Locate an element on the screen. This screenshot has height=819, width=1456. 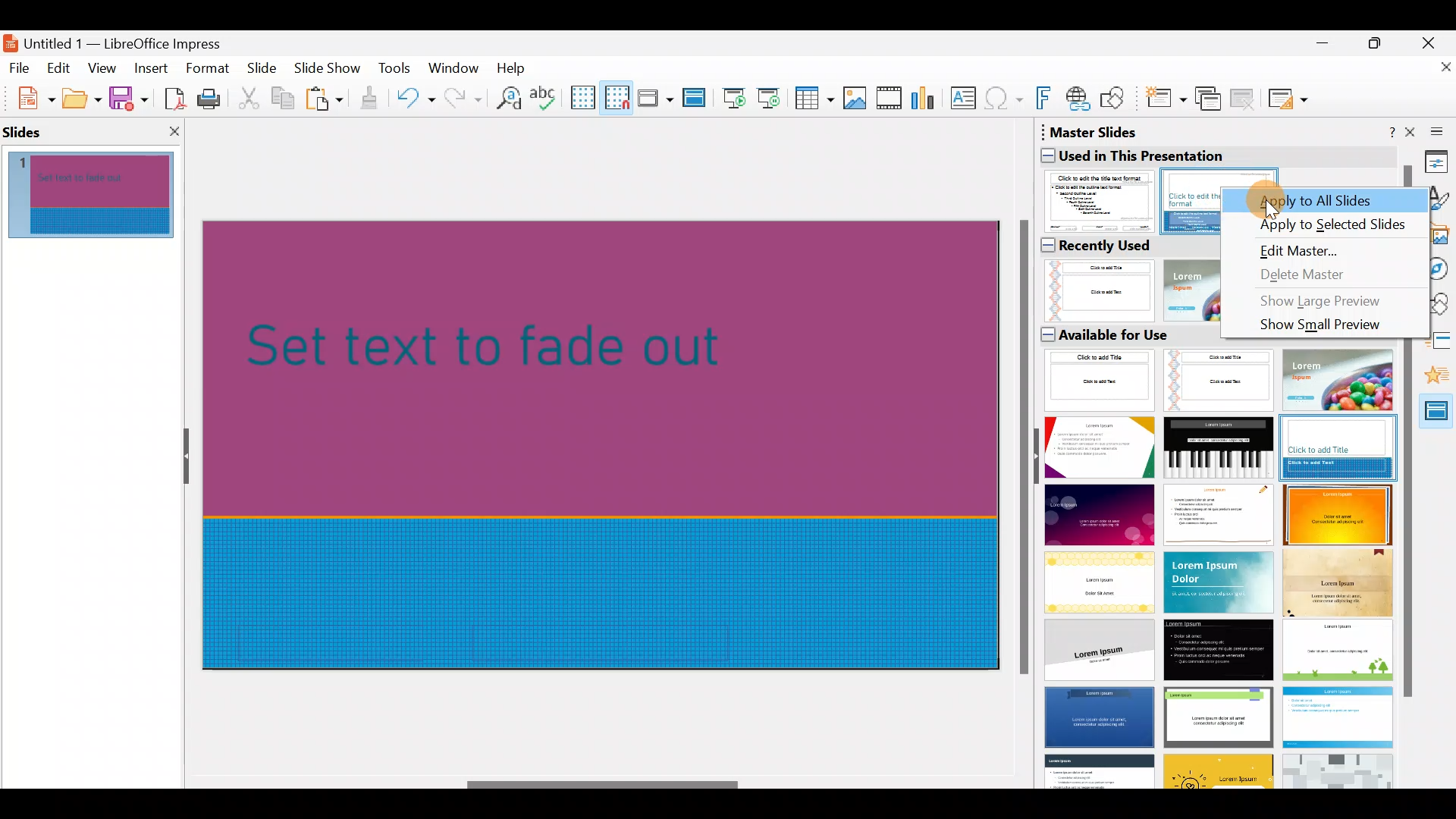
Insert image is located at coordinates (858, 99).